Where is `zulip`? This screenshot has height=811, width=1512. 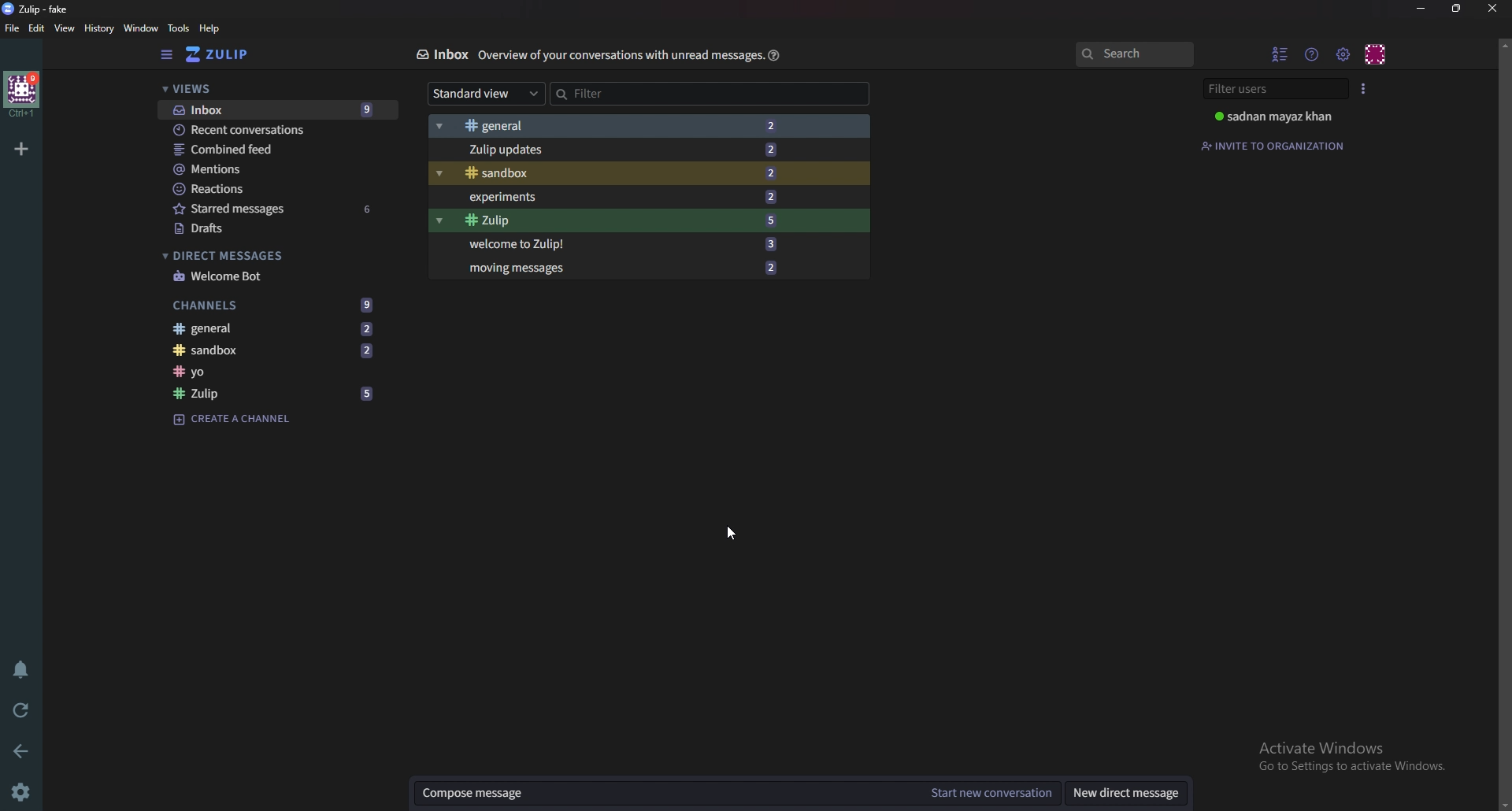
zulip is located at coordinates (279, 394).